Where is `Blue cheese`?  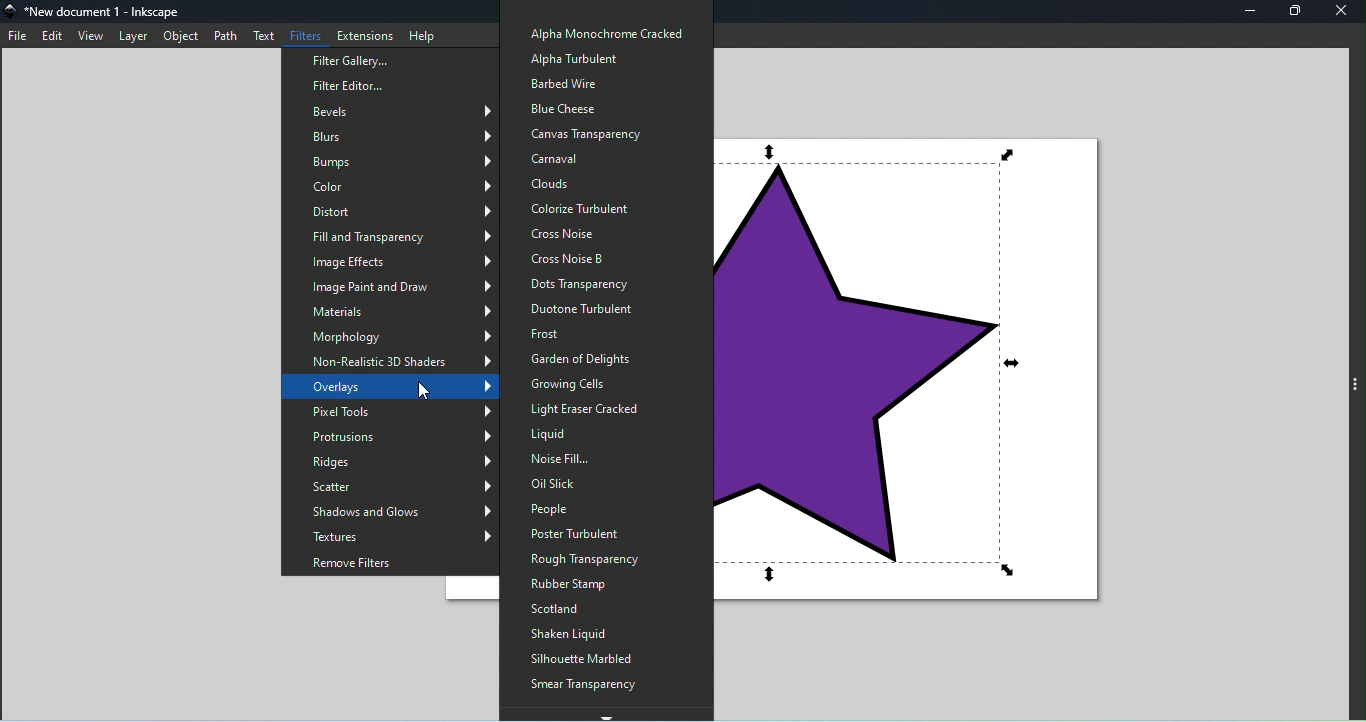 Blue cheese is located at coordinates (584, 106).